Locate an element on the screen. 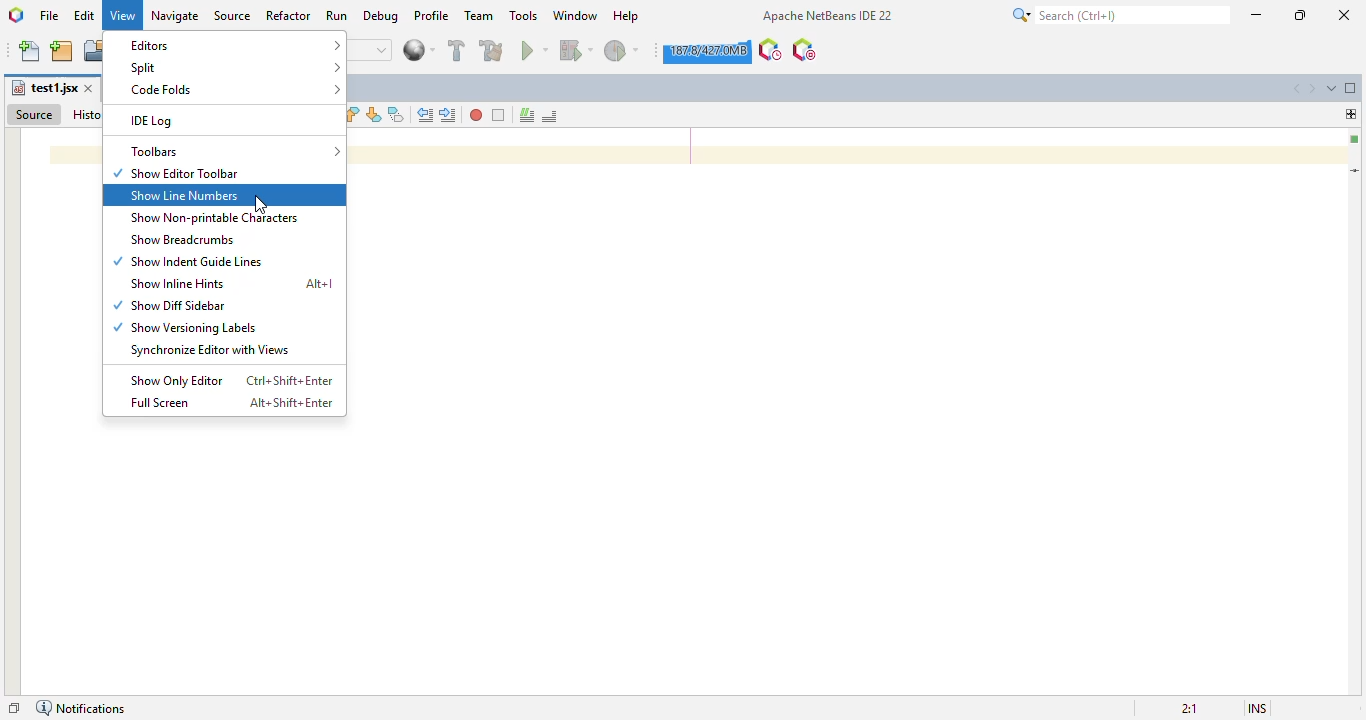  toolbars is located at coordinates (234, 151).